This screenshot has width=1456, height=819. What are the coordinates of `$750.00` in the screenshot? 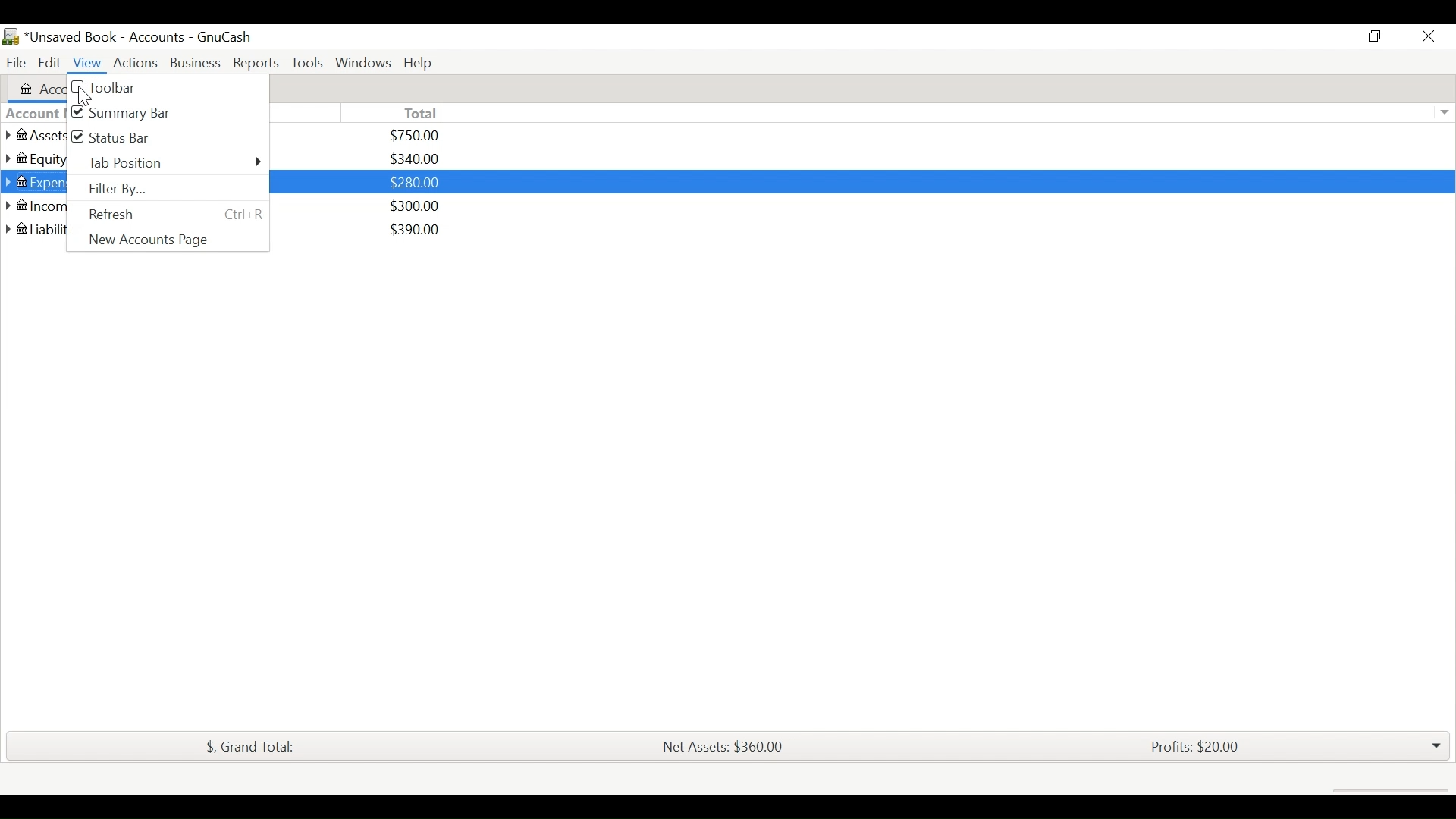 It's located at (416, 135).